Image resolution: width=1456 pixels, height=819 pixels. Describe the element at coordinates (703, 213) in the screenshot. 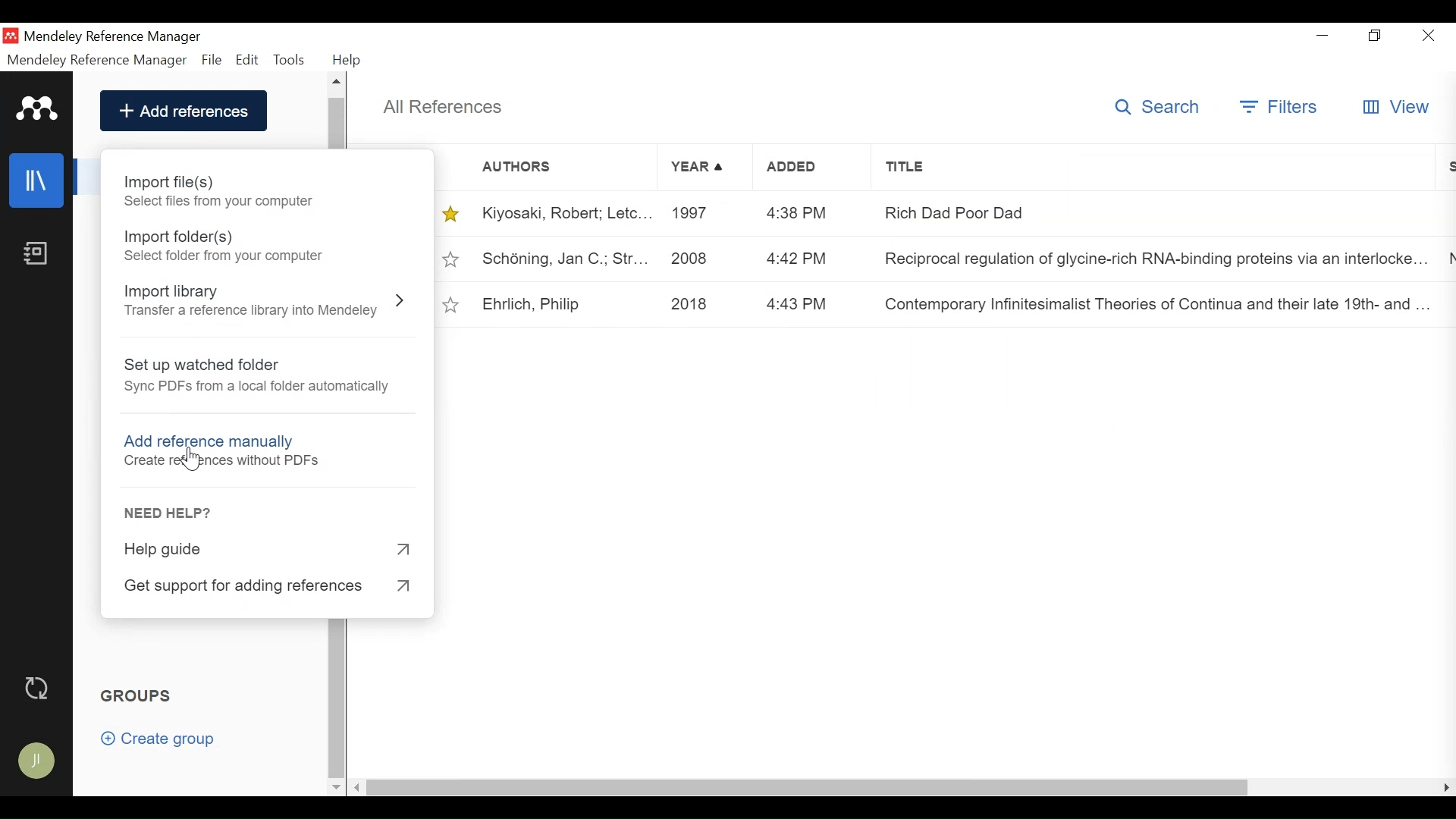

I see `1997` at that location.